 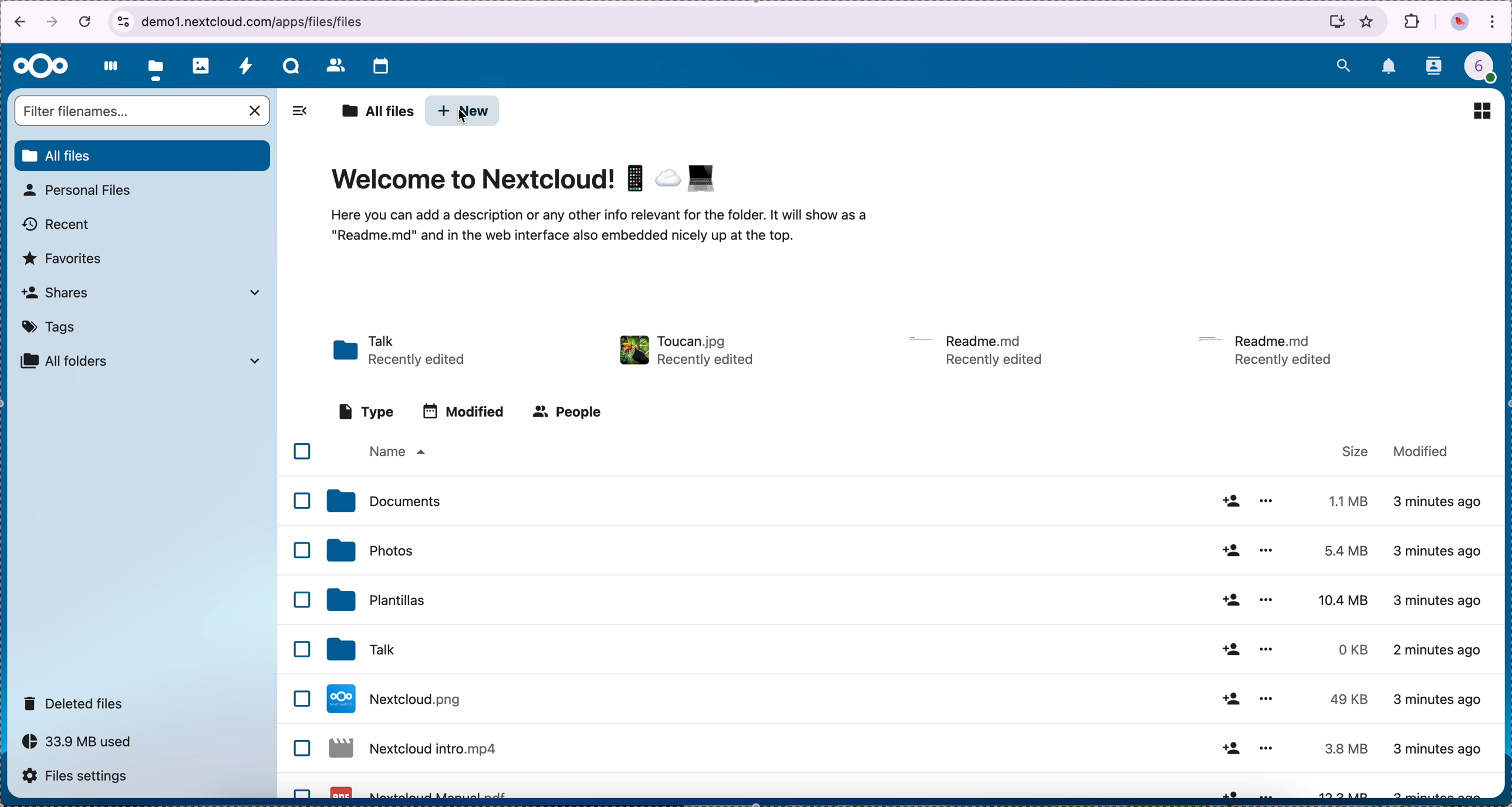 I want to click on documents, so click(x=383, y=501).